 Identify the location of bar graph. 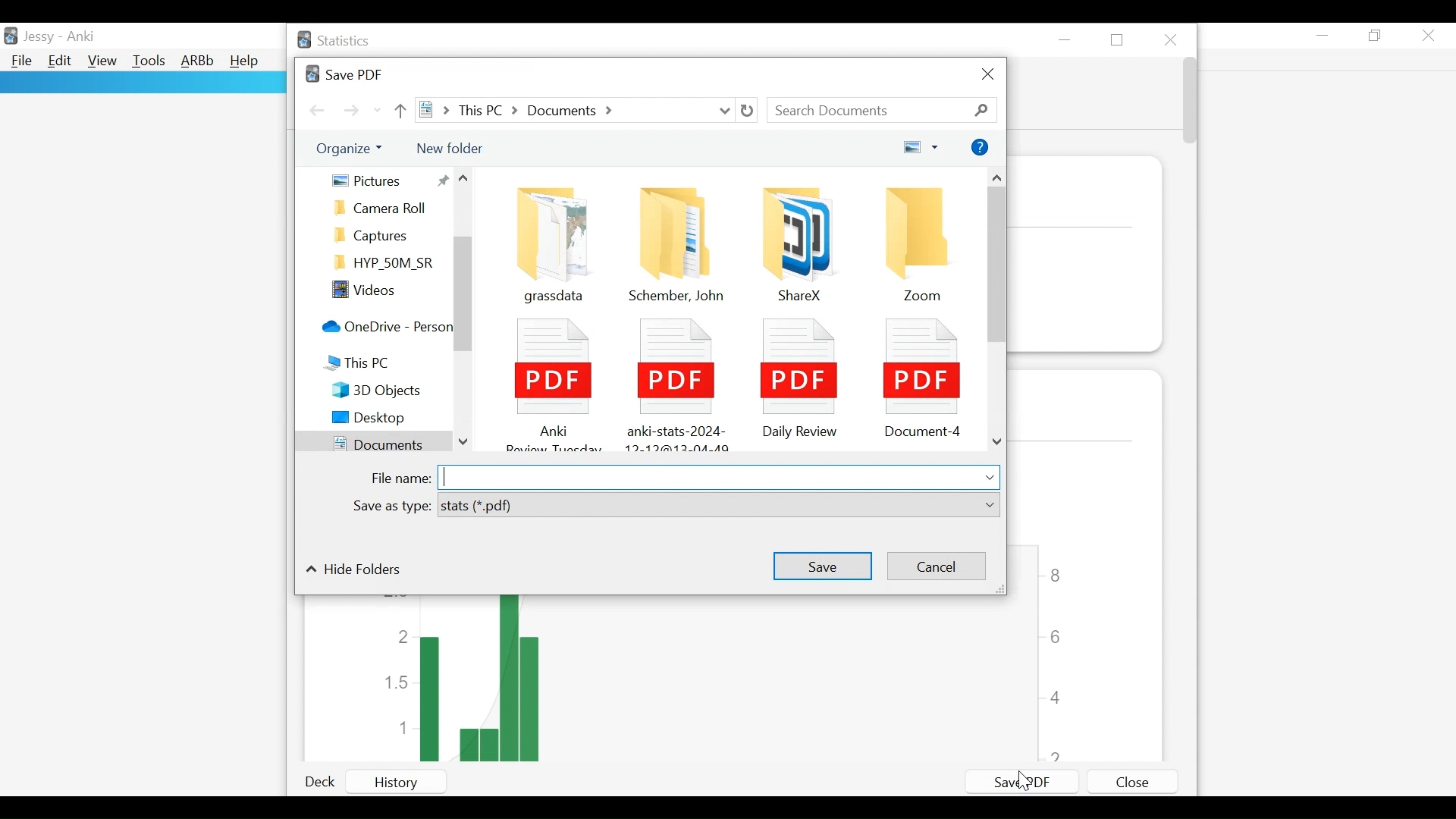
(678, 679).